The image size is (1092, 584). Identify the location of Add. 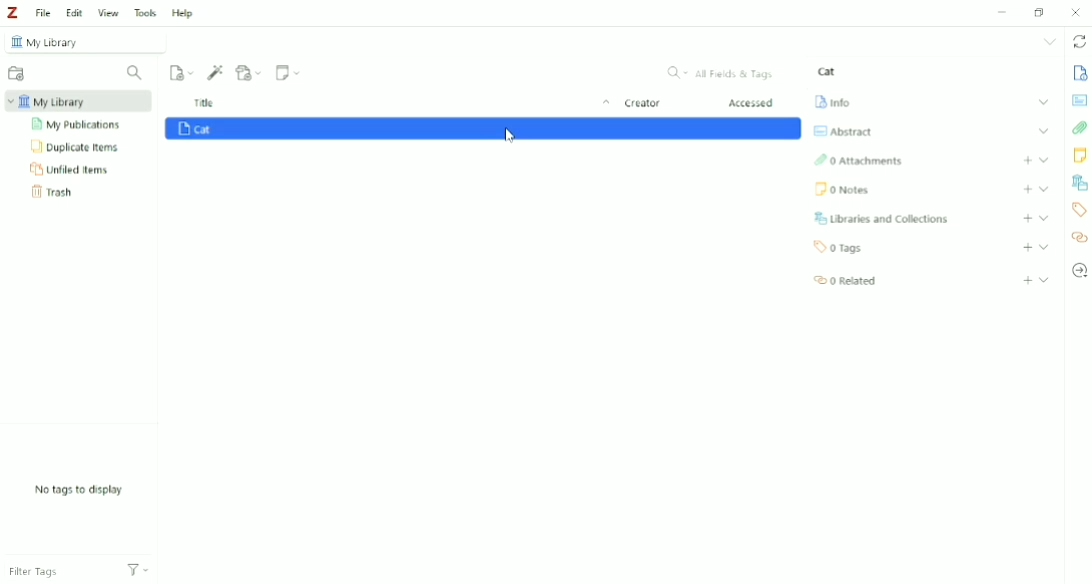
(1028, 281).